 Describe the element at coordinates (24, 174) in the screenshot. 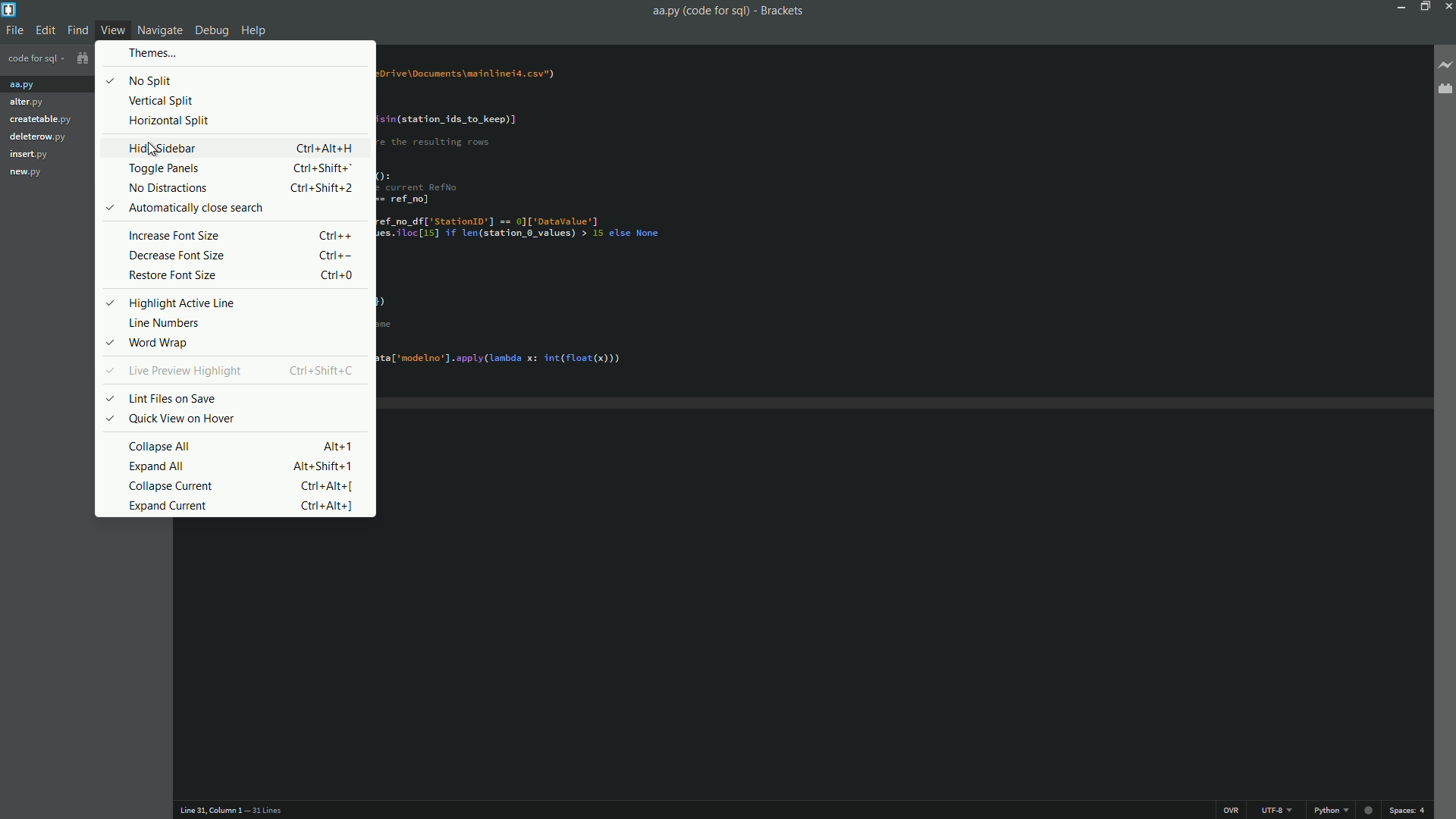

I see `new.py` at that location.